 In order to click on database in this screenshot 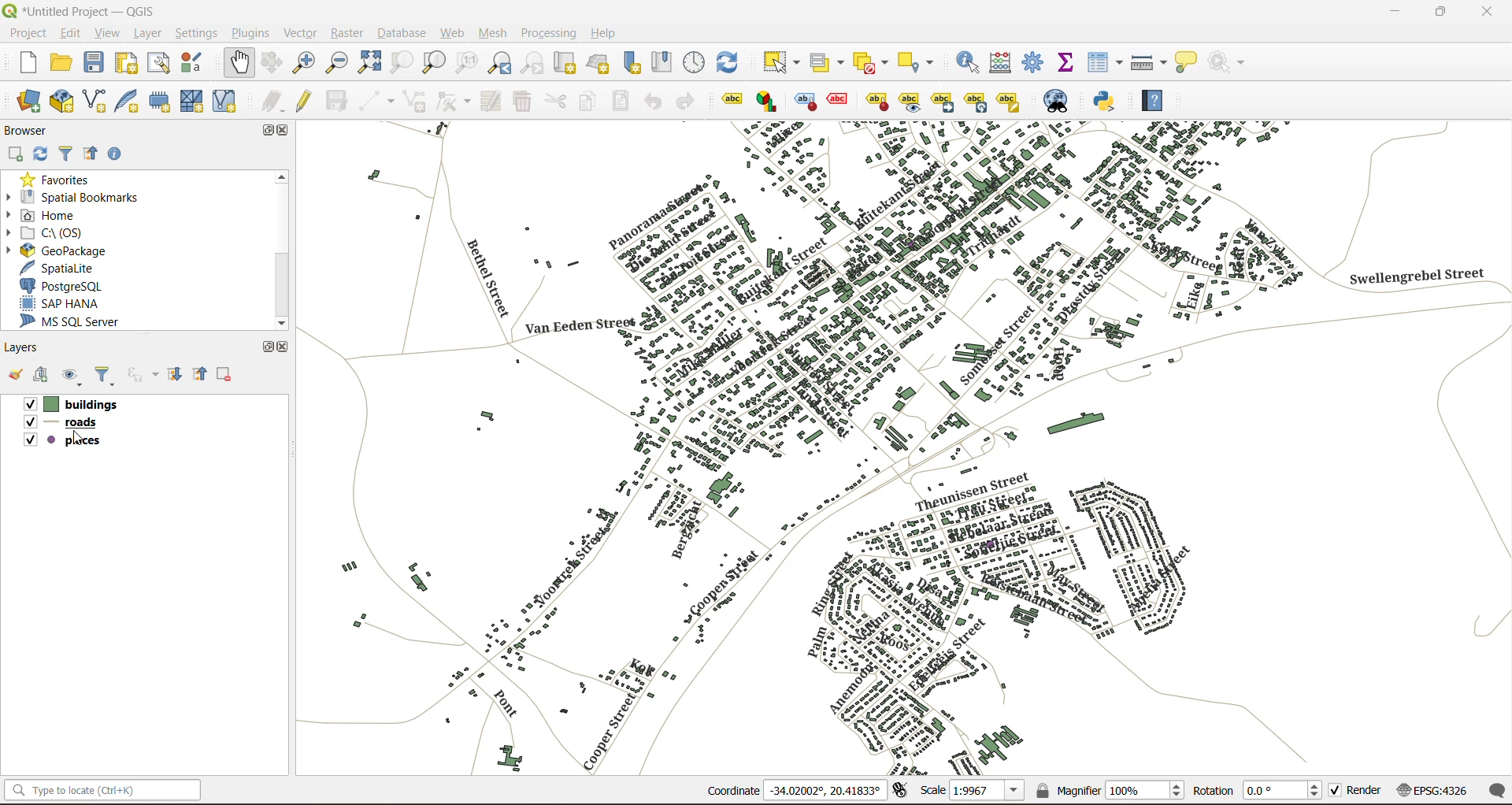, I will do `click(402, 35)`.